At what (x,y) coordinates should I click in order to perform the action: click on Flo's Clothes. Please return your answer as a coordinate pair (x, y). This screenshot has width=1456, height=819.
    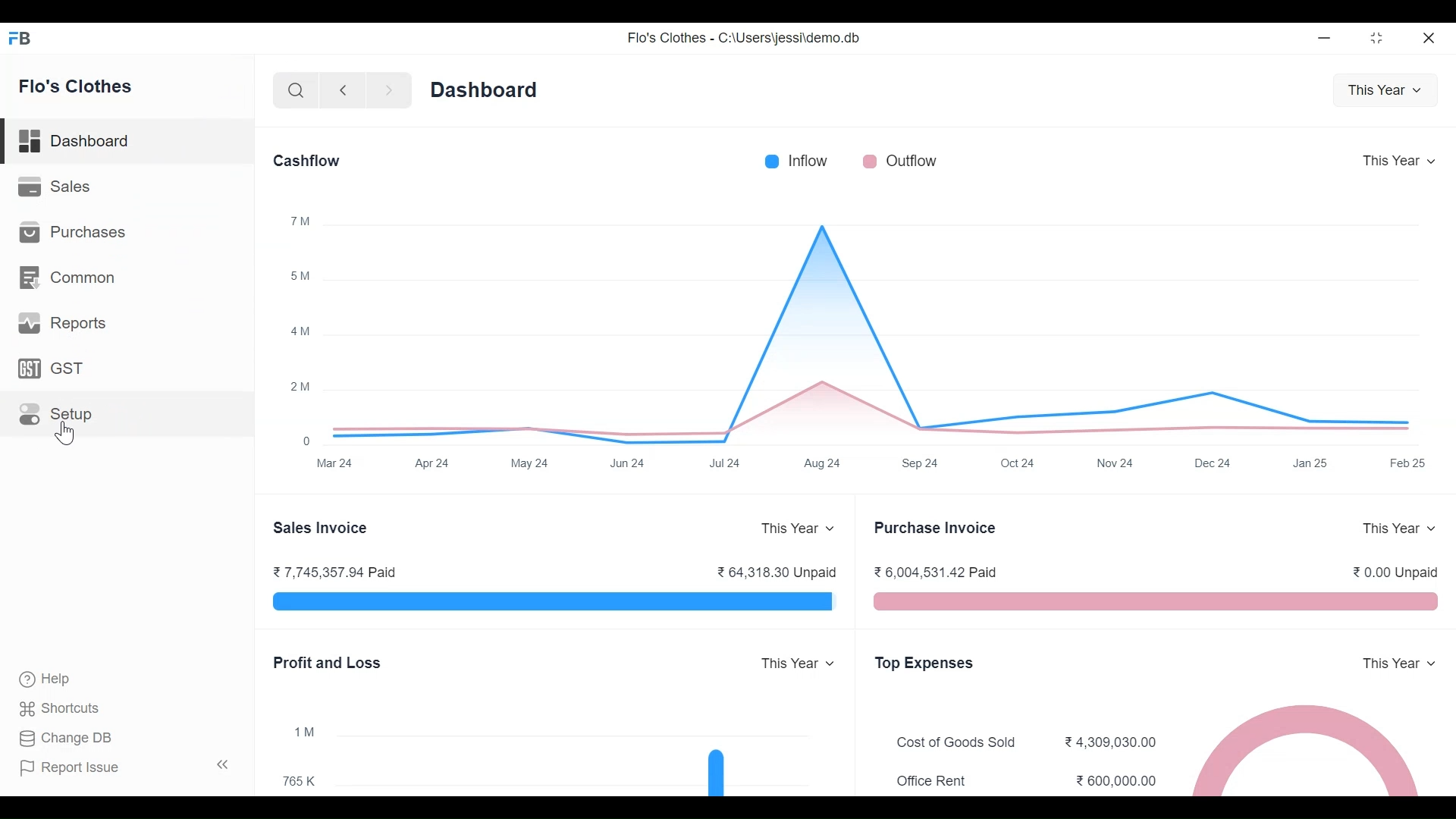
    Looking at the image, I should click on (76, 84).